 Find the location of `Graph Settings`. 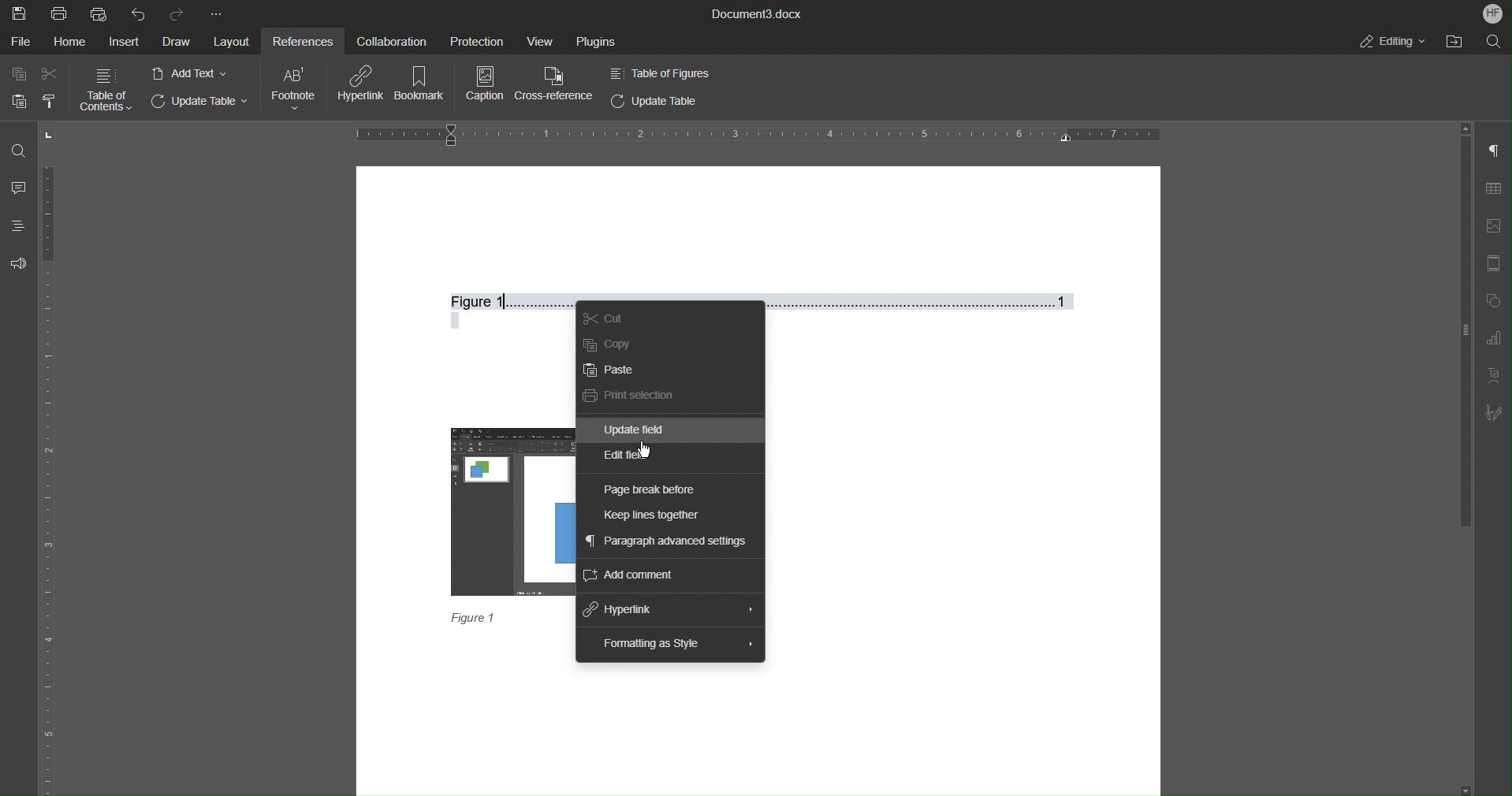

Graph Settings is located at coordinates (1495, 340).